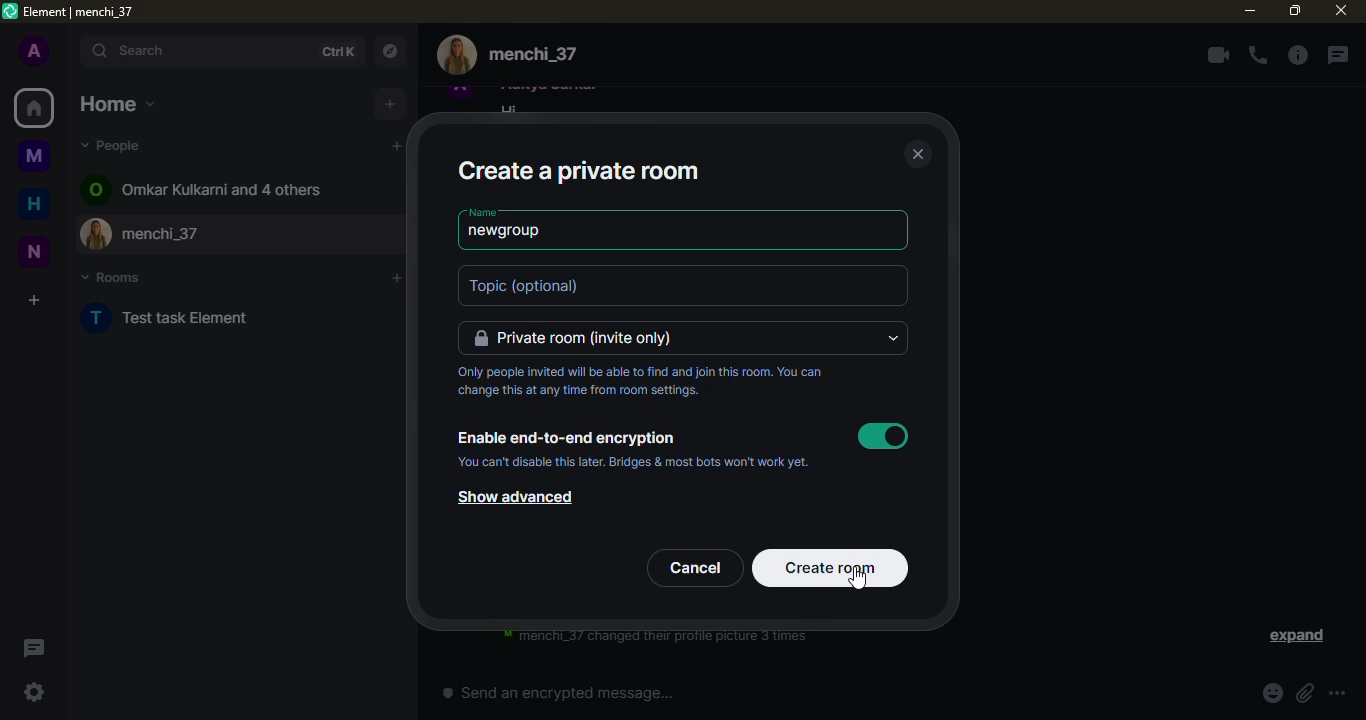 The width and height of the screenshot is (1366, 720). What do you see at coordinates (98, 233) in the screenshot?
I see `Profile image` at bounding box center [98, 233].